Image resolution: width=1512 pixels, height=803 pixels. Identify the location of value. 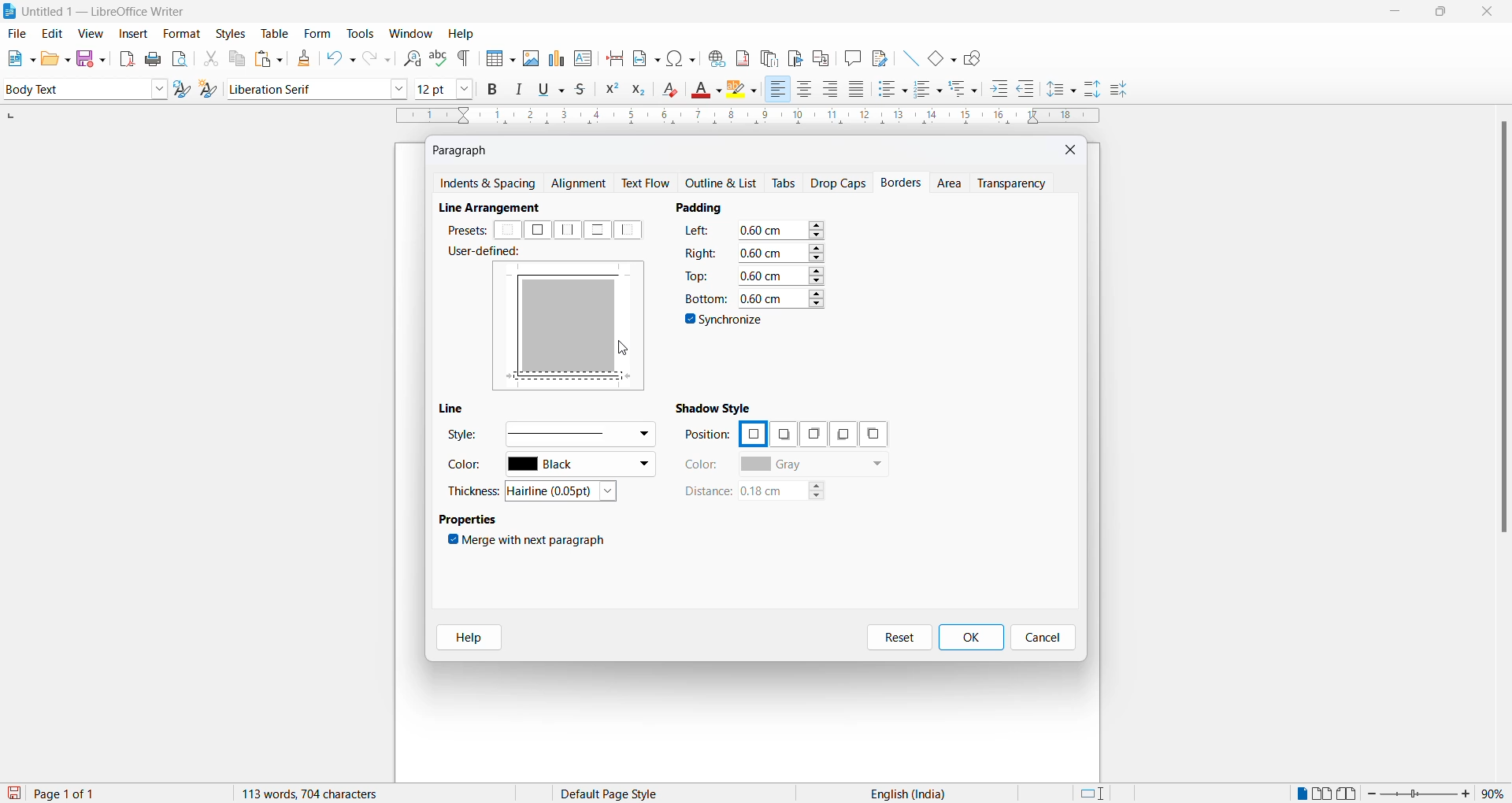
(781, 230).